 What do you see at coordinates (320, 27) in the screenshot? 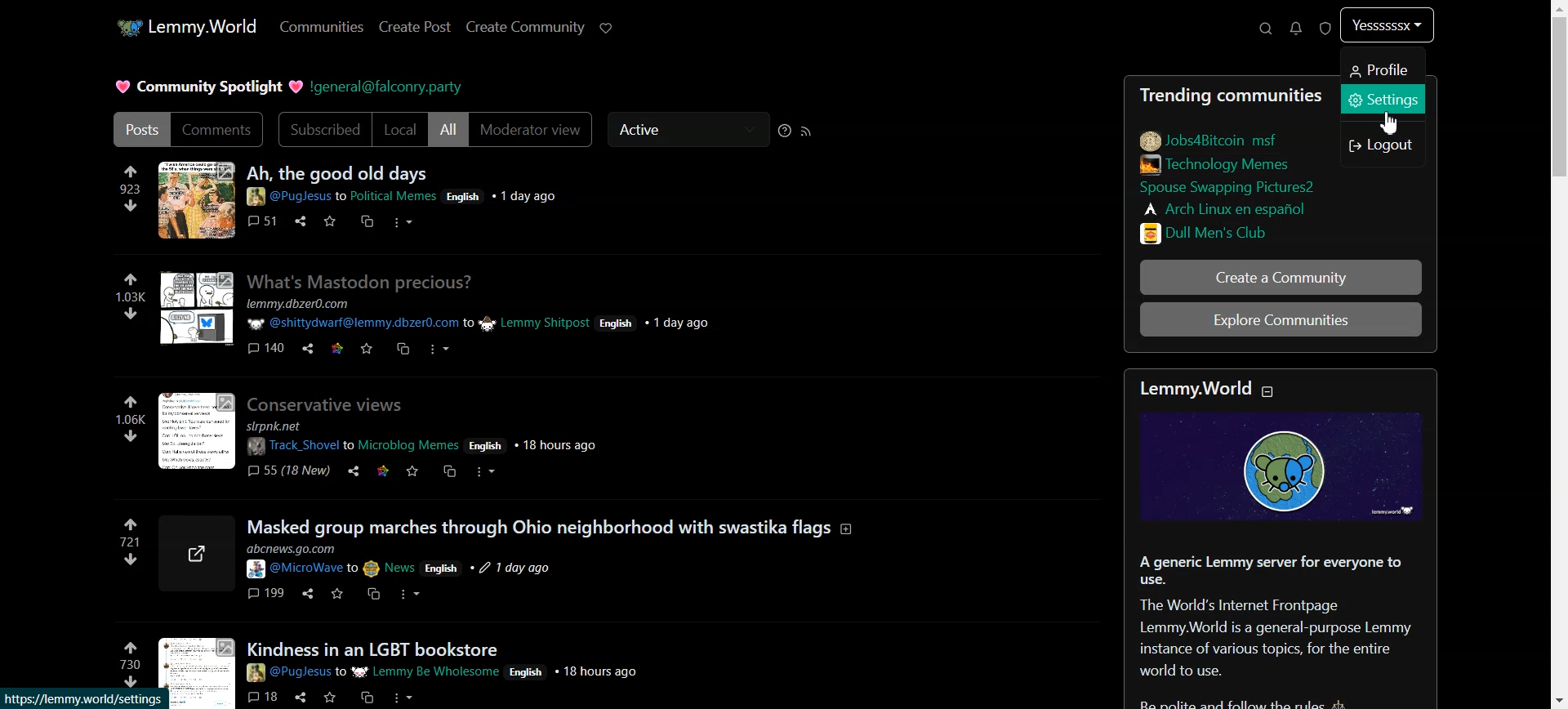
I see `Communities` at bounding box center [320, 27].